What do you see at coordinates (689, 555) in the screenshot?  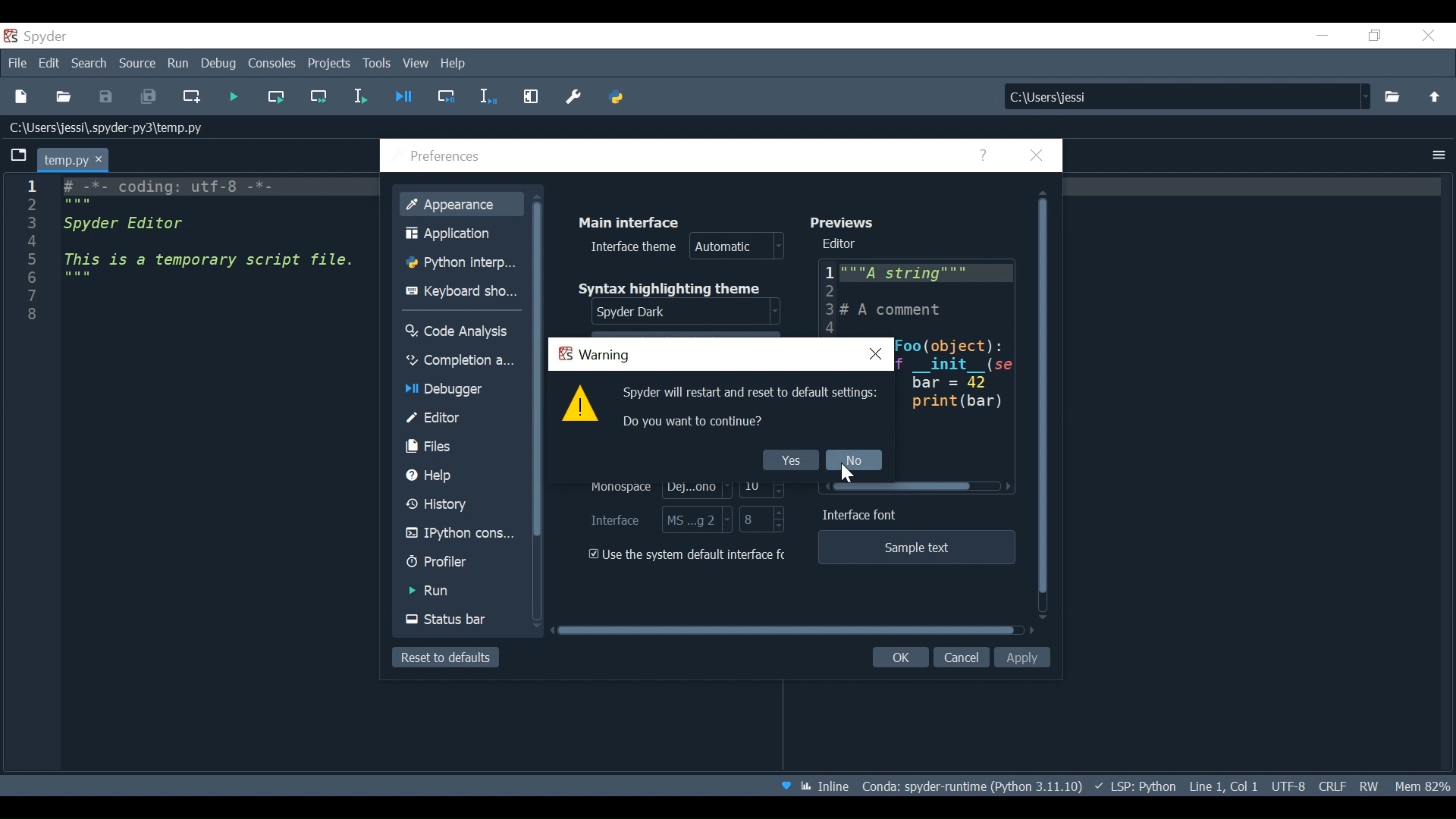 I see `(un)check use the system defaults interface fonts` at bounding box center [689, 555].